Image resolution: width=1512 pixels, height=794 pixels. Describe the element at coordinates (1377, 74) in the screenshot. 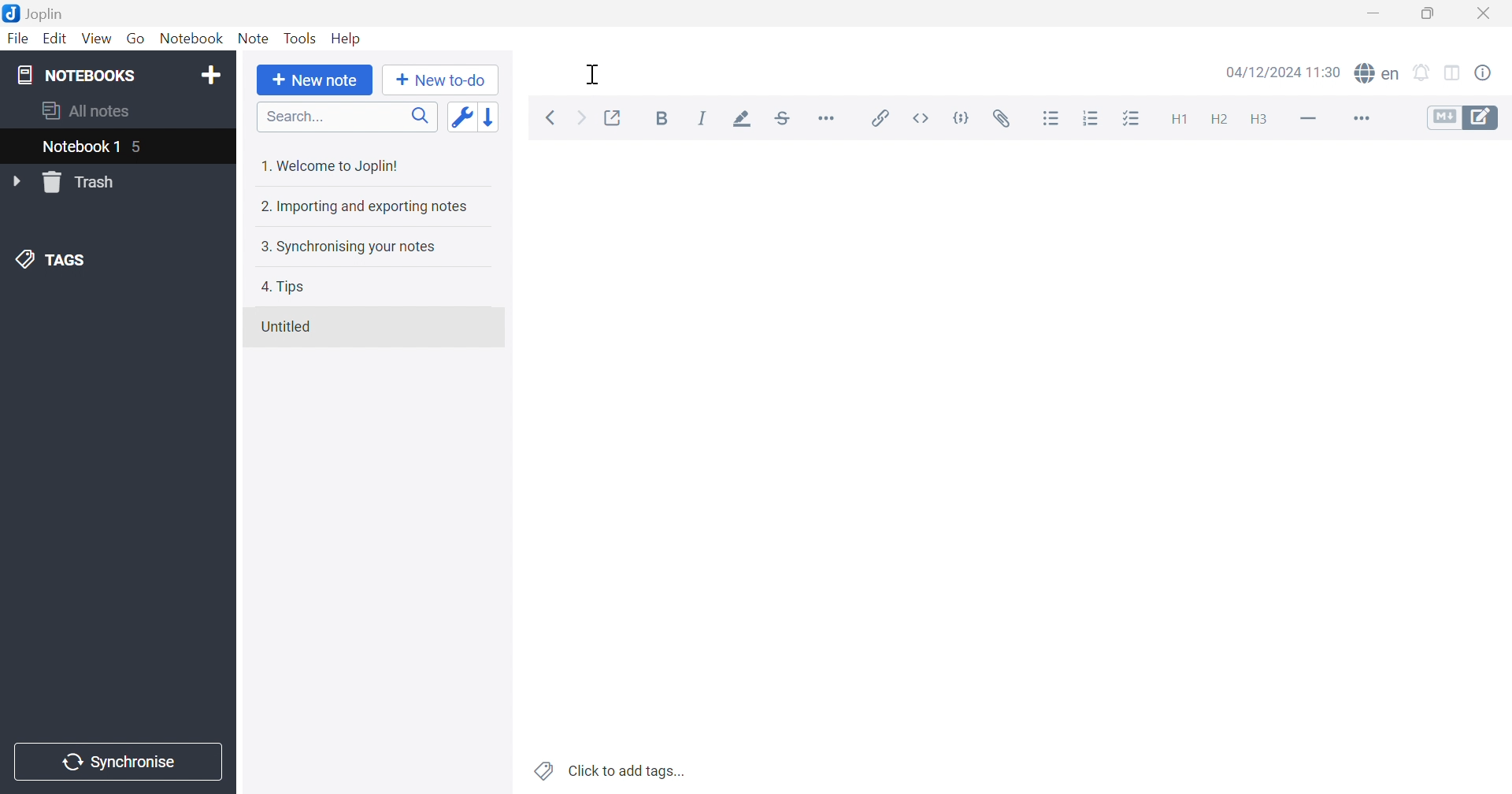

I see `spell checker` at that location.